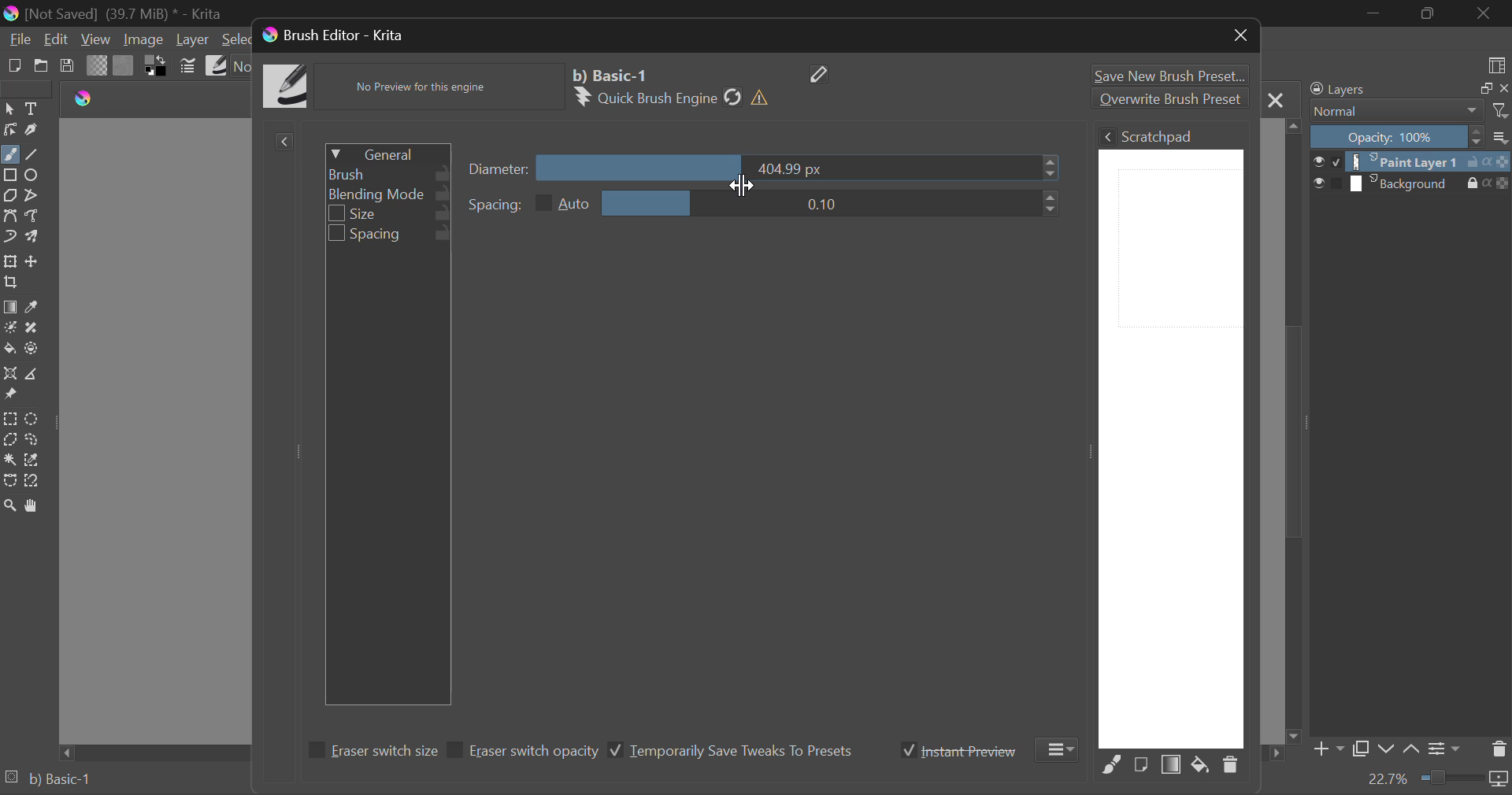 This screenshot has width=1512, height=795. I want to click on Fill Gradient, so click(9, 307).